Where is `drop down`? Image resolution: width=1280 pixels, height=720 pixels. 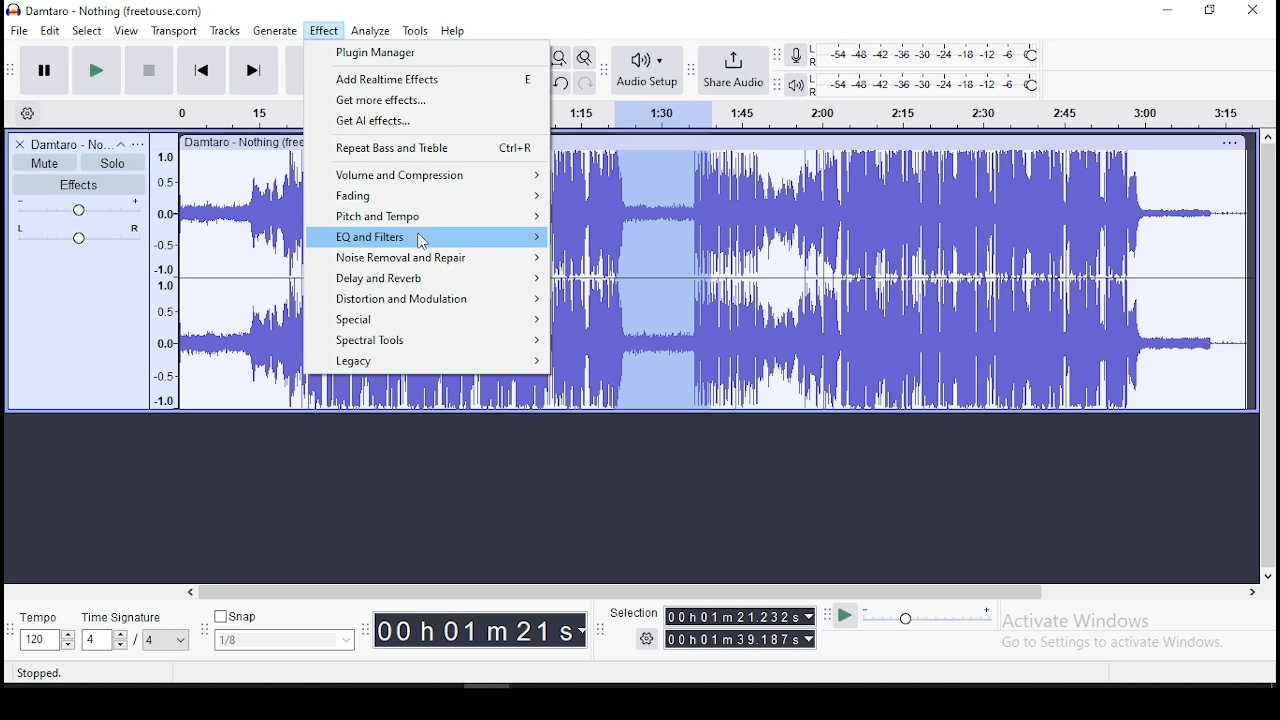
drop down is located at coordinates (583, 631).